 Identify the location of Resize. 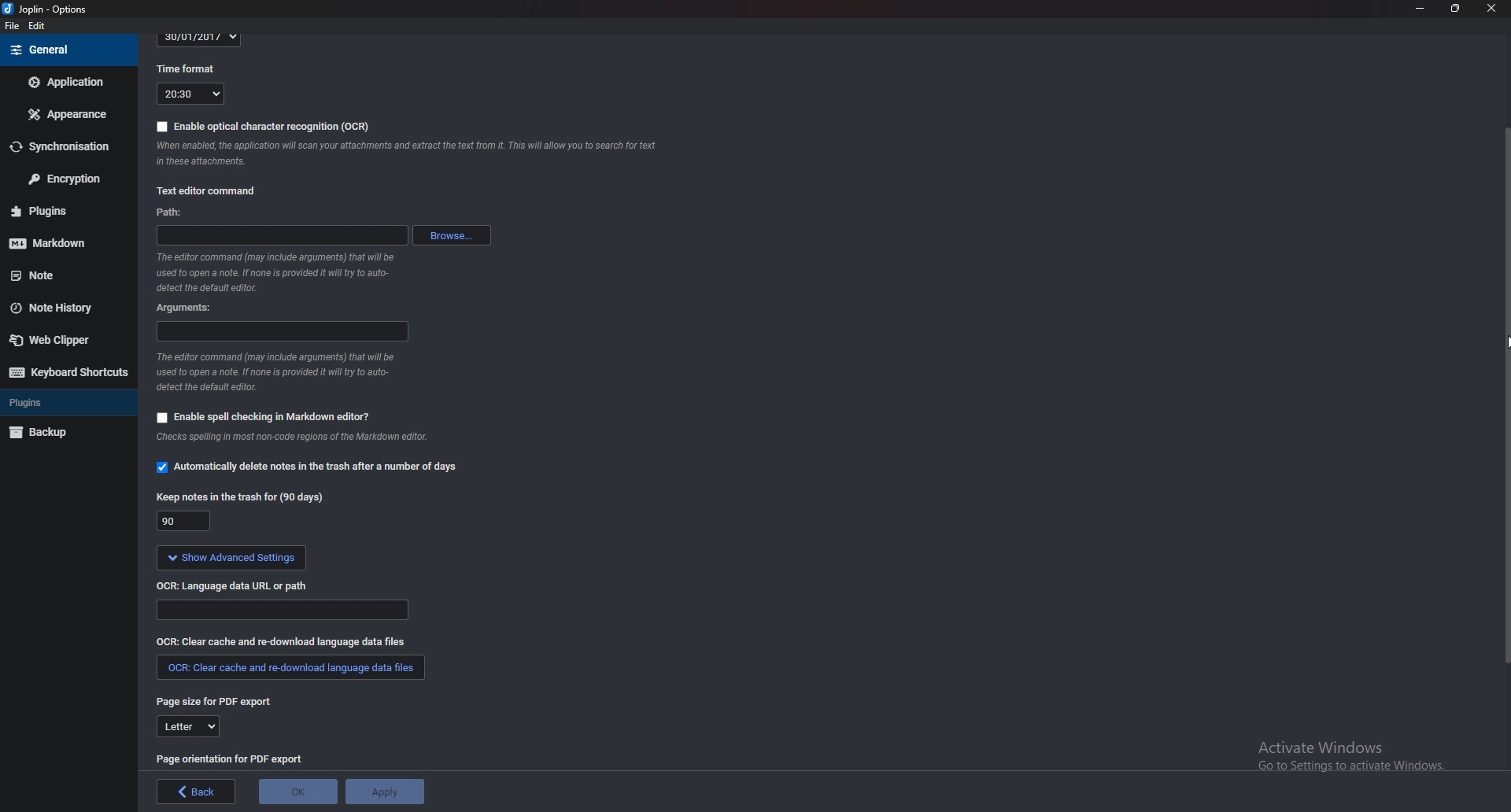
(1456, 8).